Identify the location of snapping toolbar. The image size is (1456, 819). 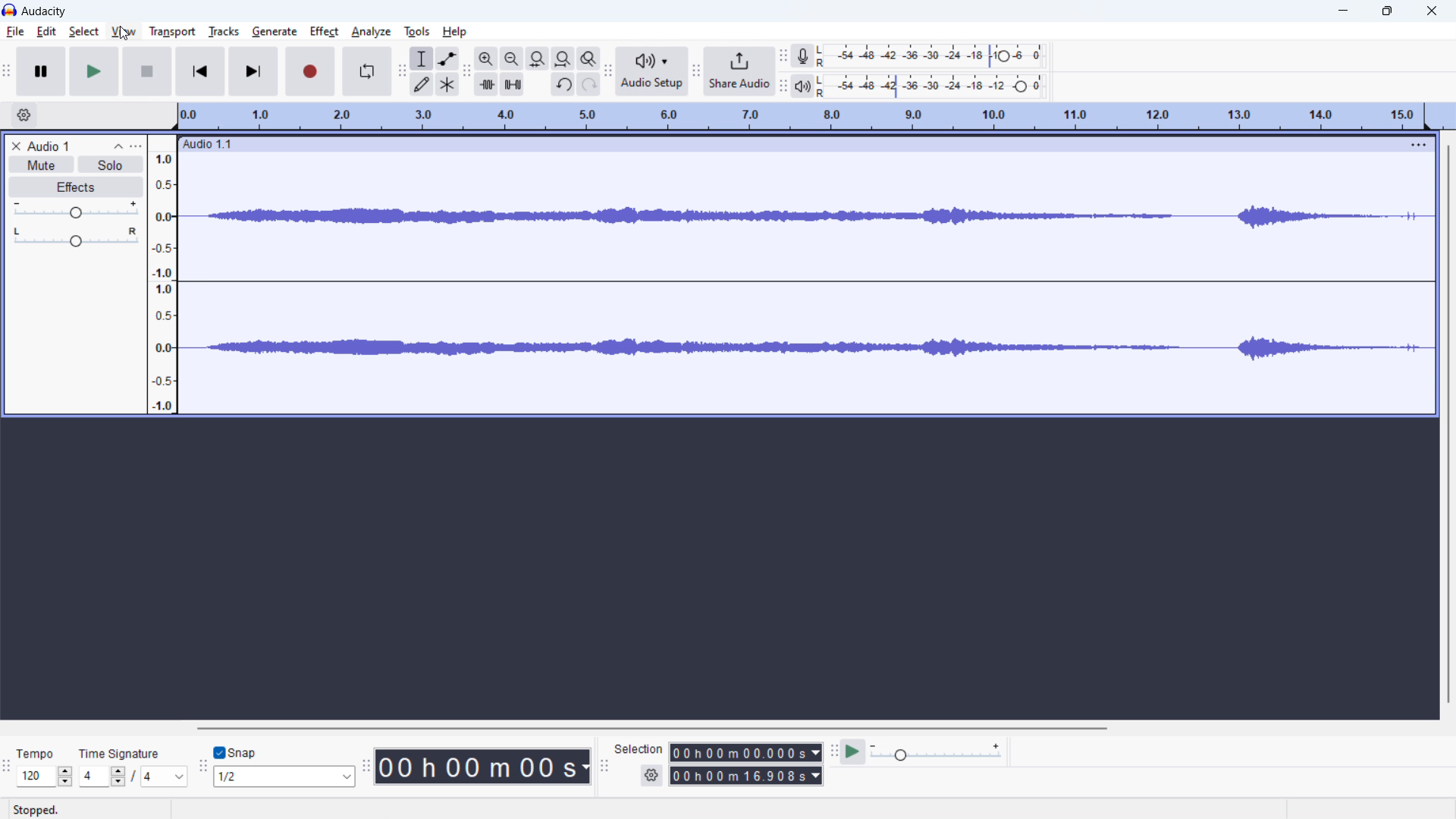
(202, 764).